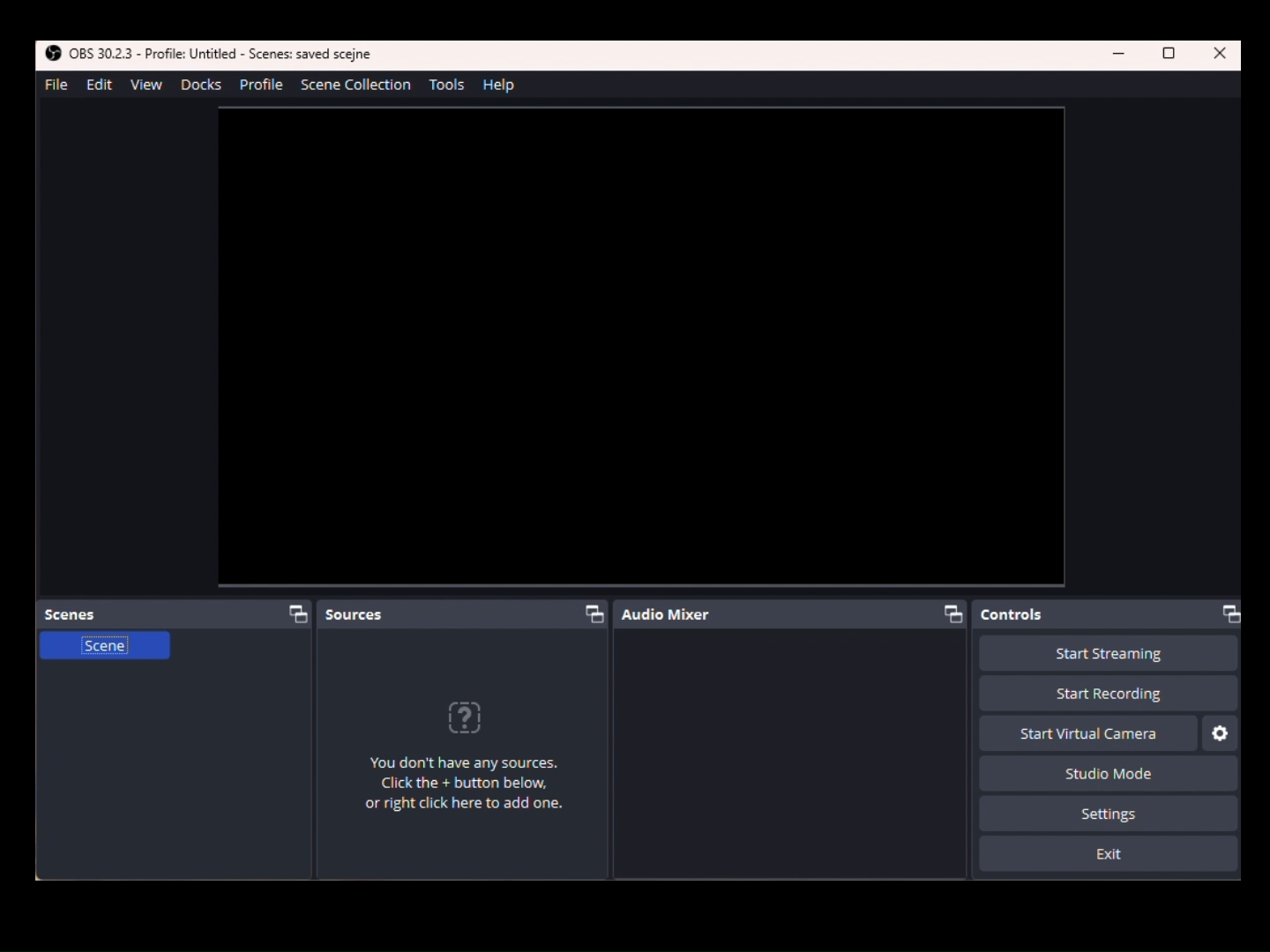  I want to click on Start Virtual Camera, so click(1088, 733).